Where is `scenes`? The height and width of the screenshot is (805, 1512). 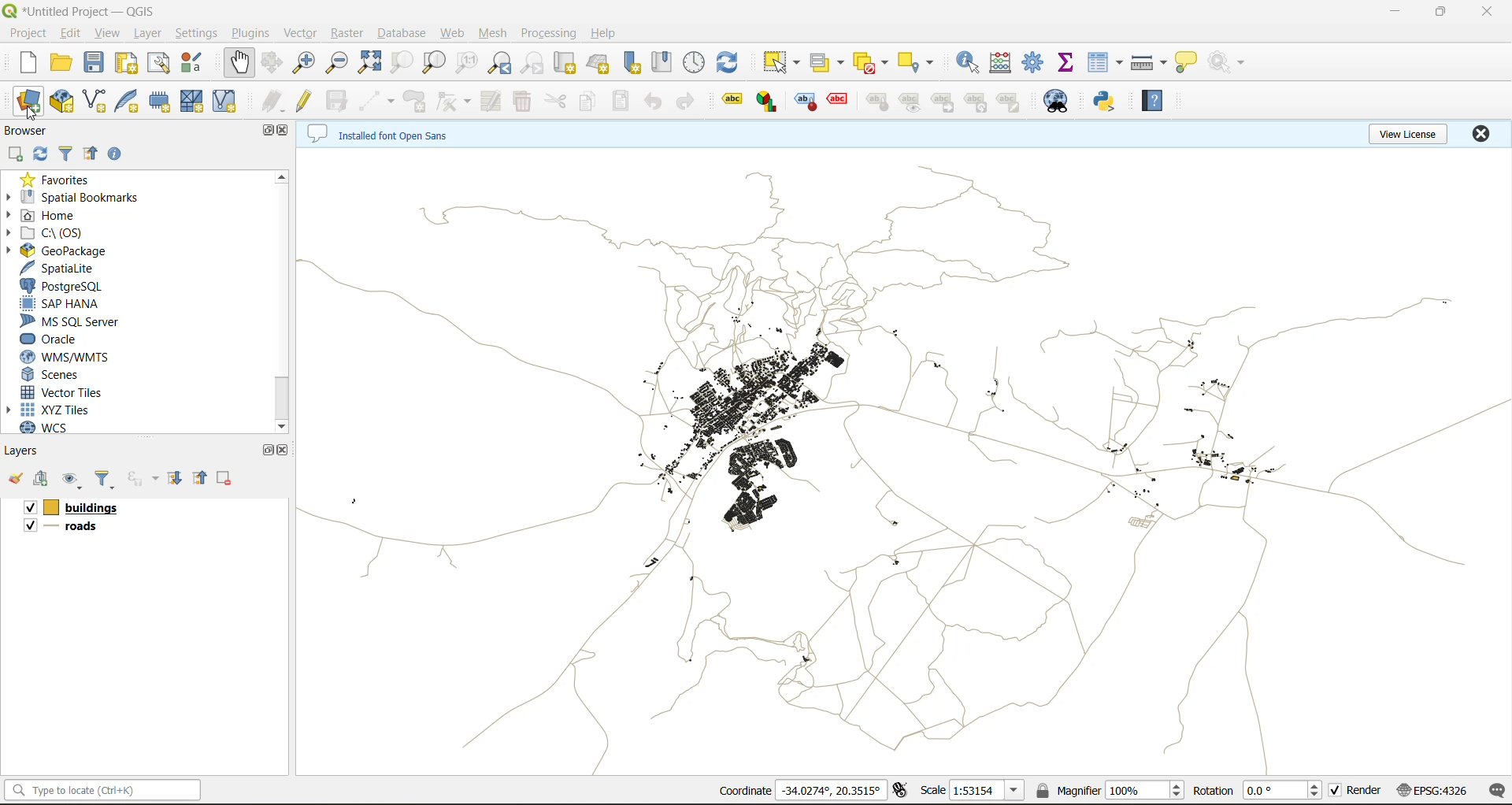
scenes is located at coordinates (52, 375).